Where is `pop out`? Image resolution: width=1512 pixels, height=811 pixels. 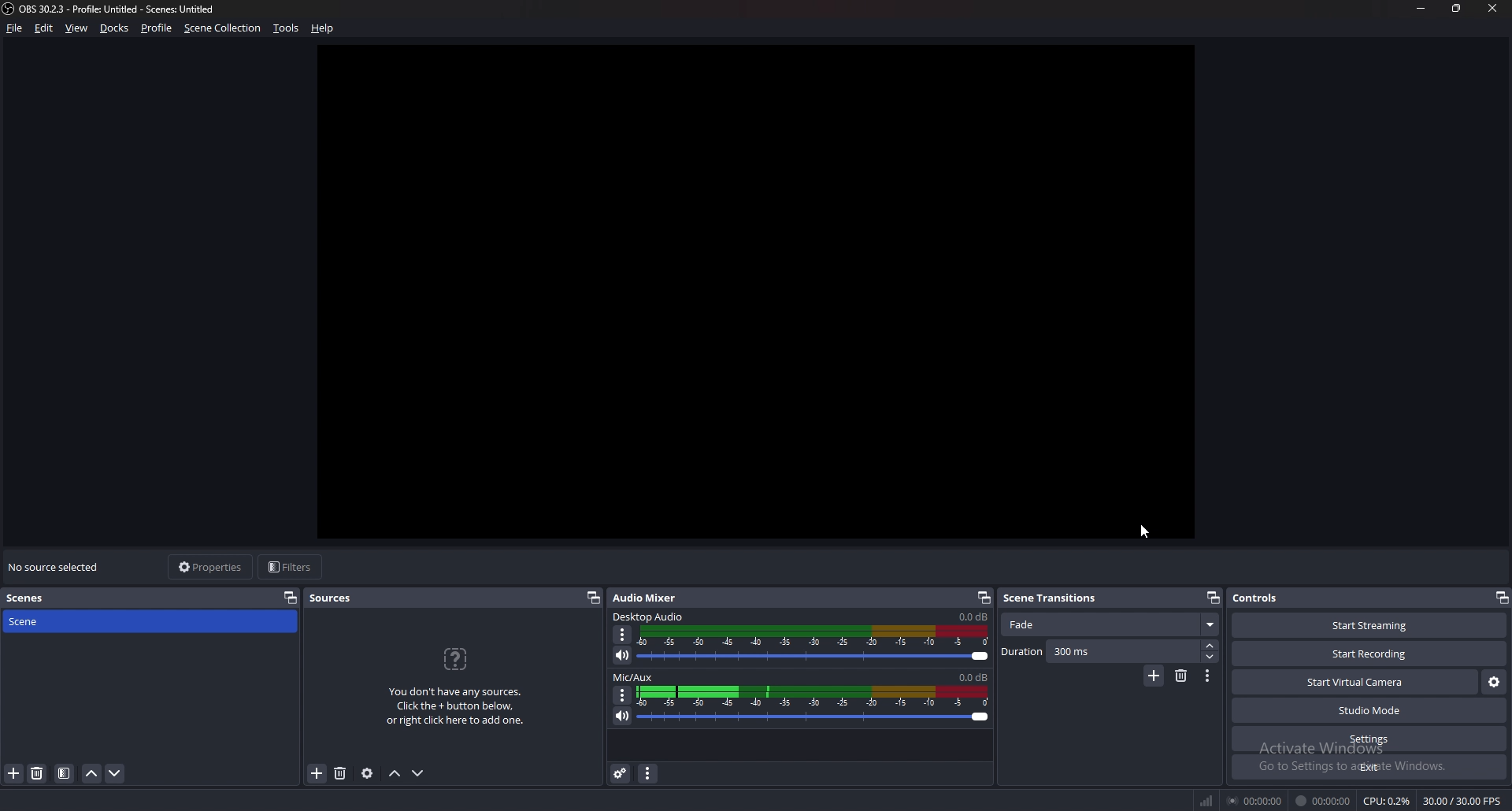 pop out is located at coordinates (1501, 597).